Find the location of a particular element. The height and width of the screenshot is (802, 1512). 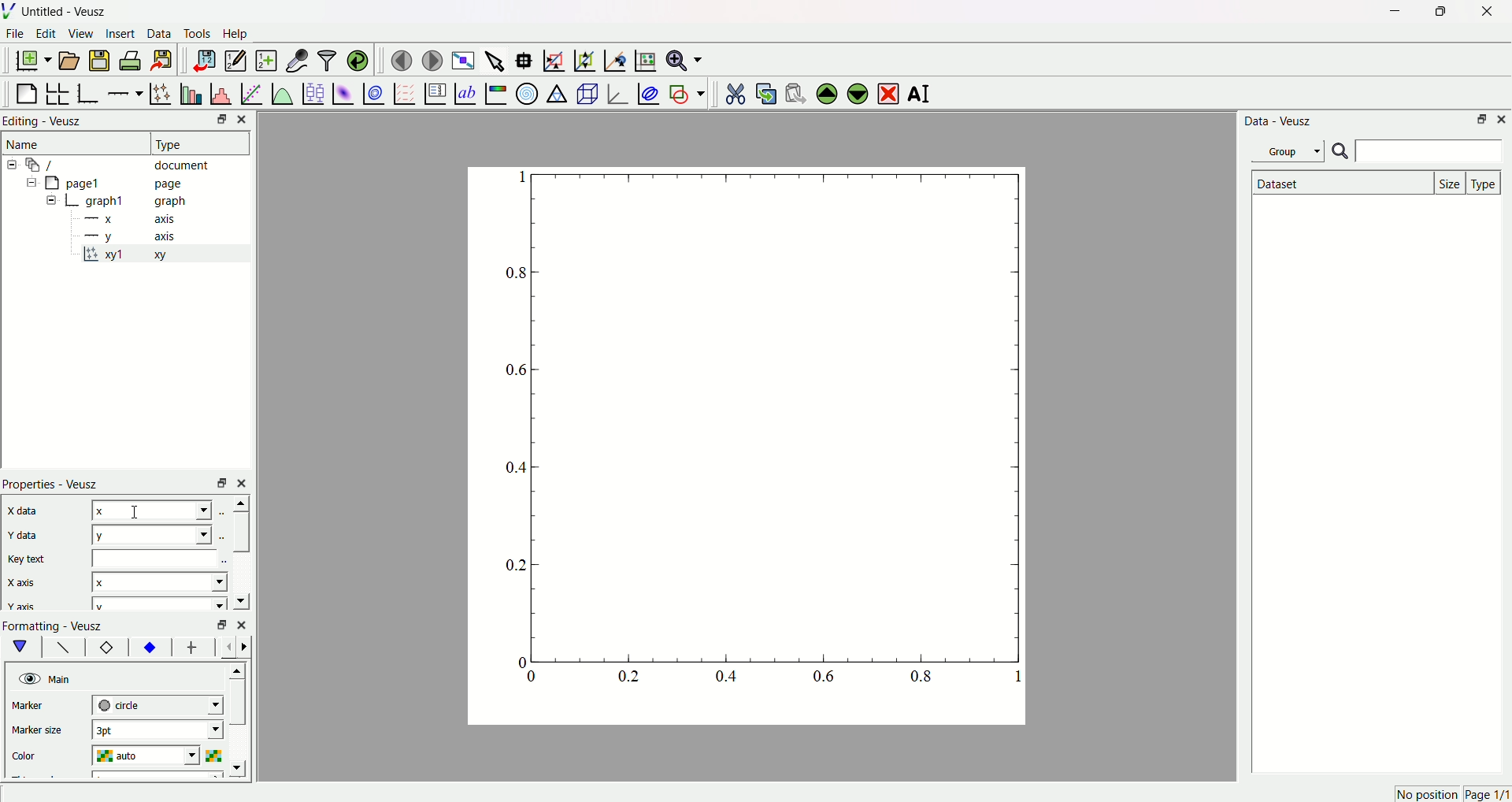

view plot full screen is located at coordinates (464, 58).